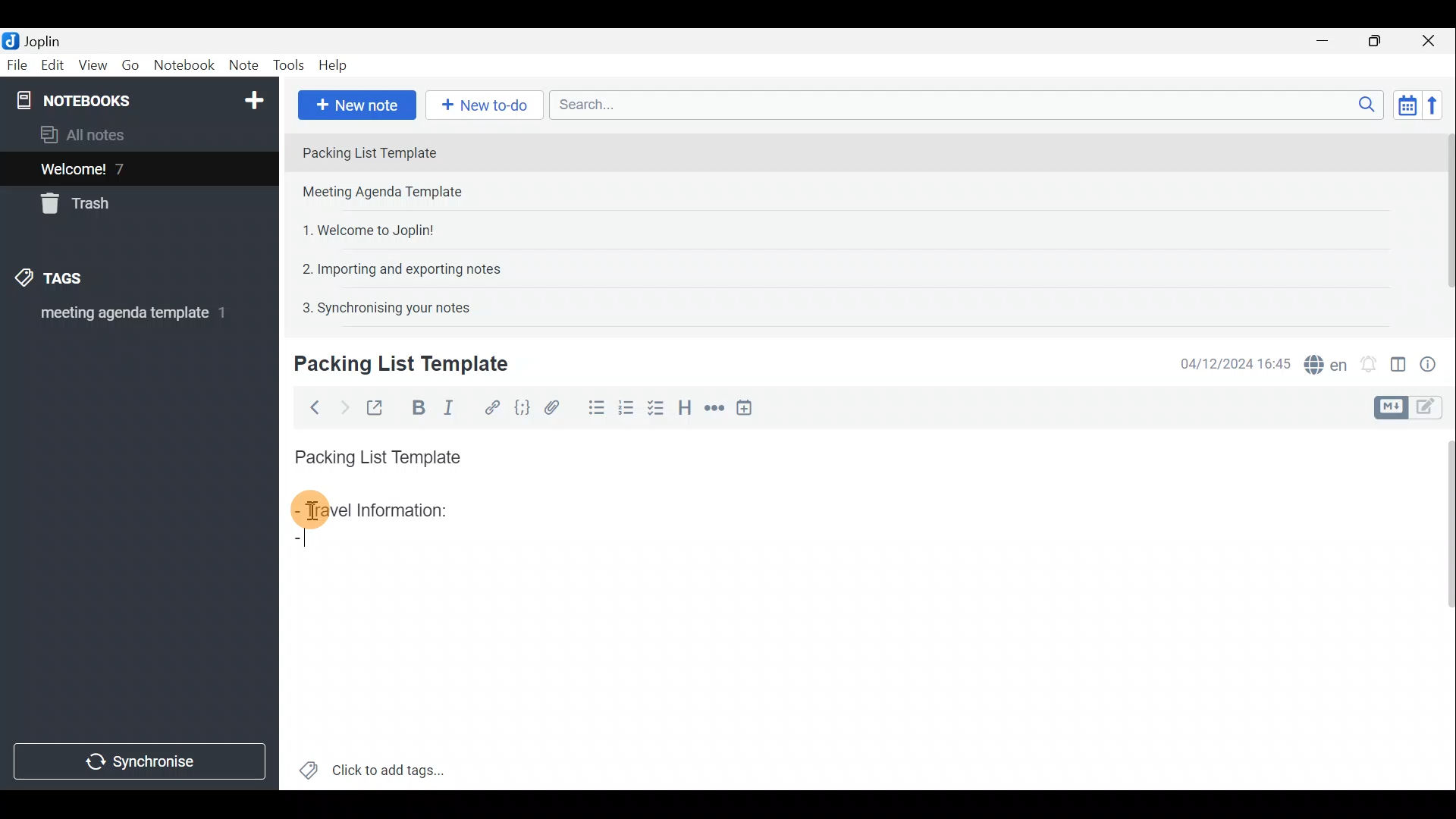  What do you see at coordinates (1442, 221) in the screenshot?
I see `Scroll bar` at bounding box center [1442, 221].